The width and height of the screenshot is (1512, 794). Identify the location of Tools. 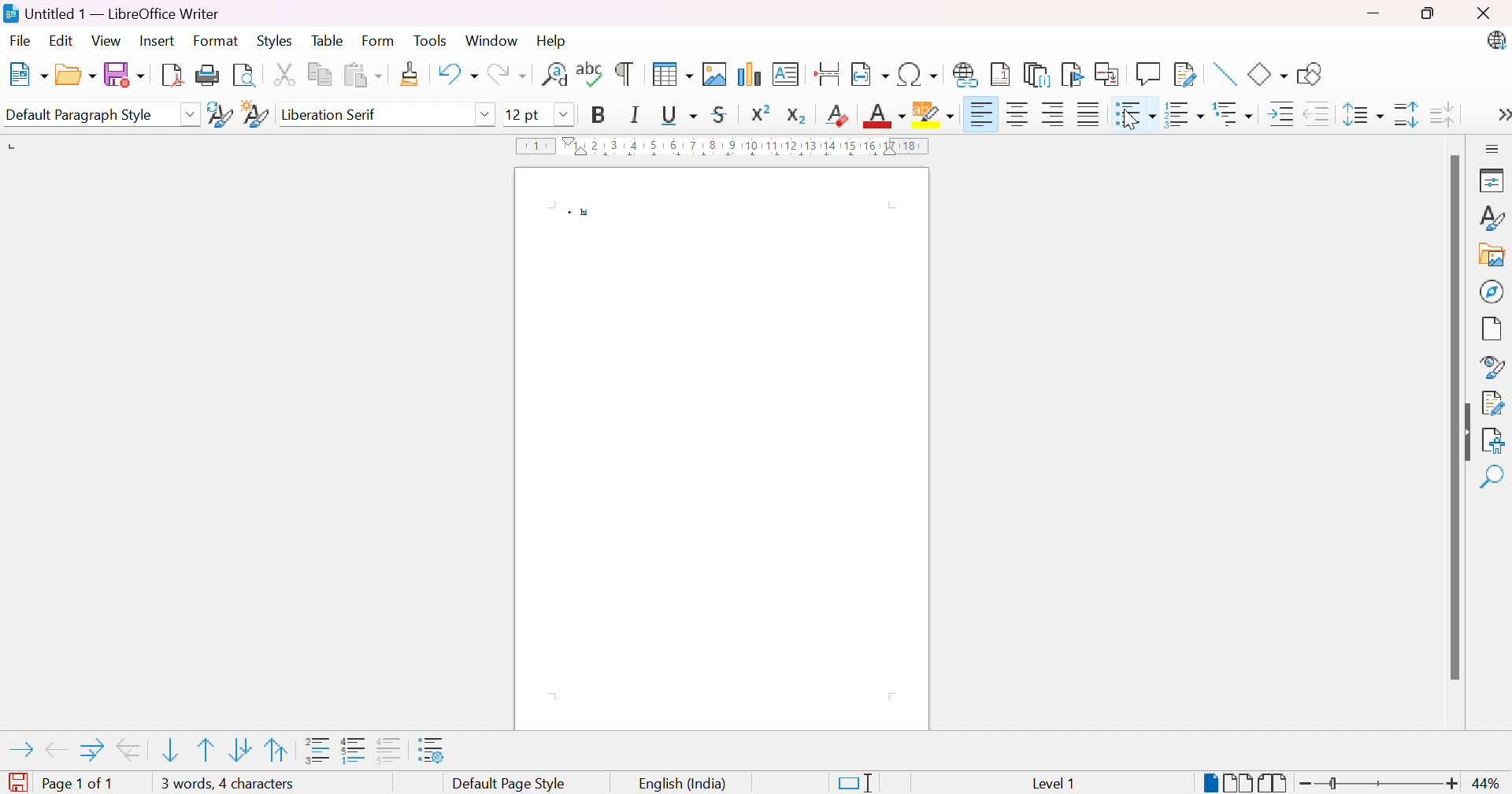
(430, 40).